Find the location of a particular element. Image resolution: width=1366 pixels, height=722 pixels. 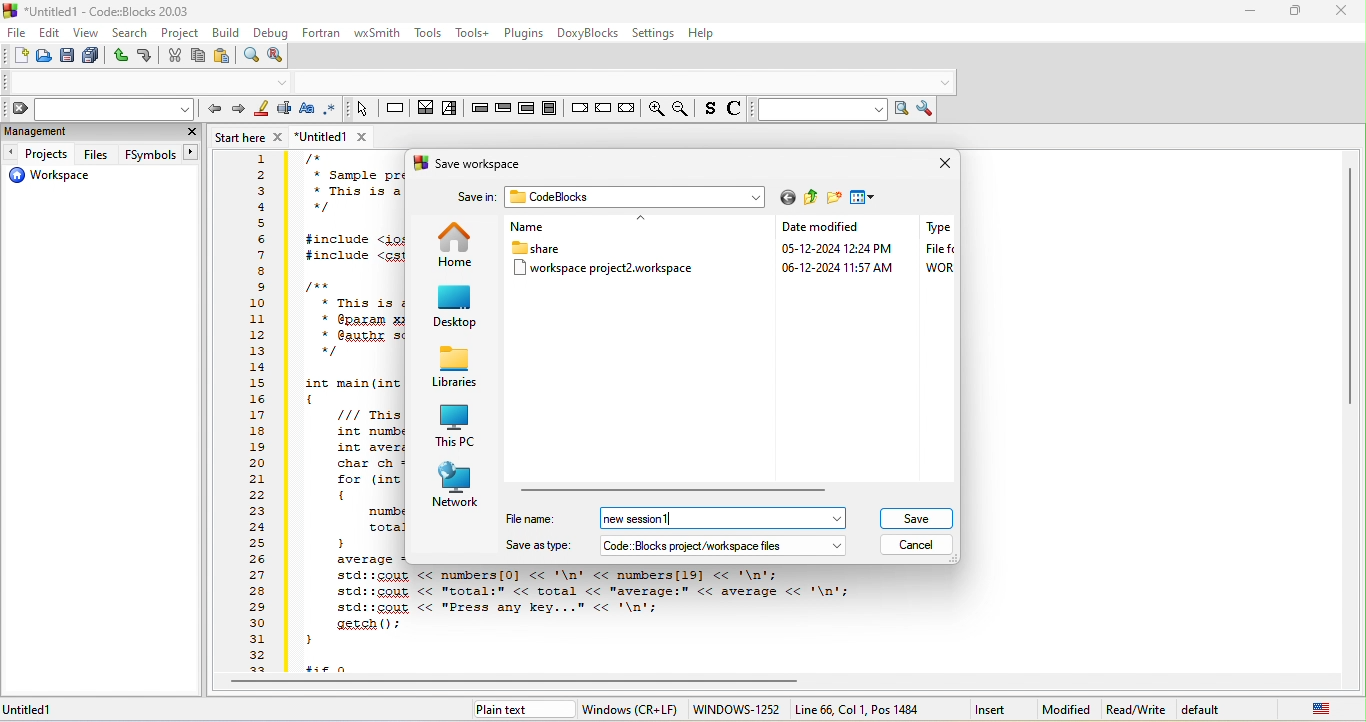

default is located at coordinates (1215, 710).